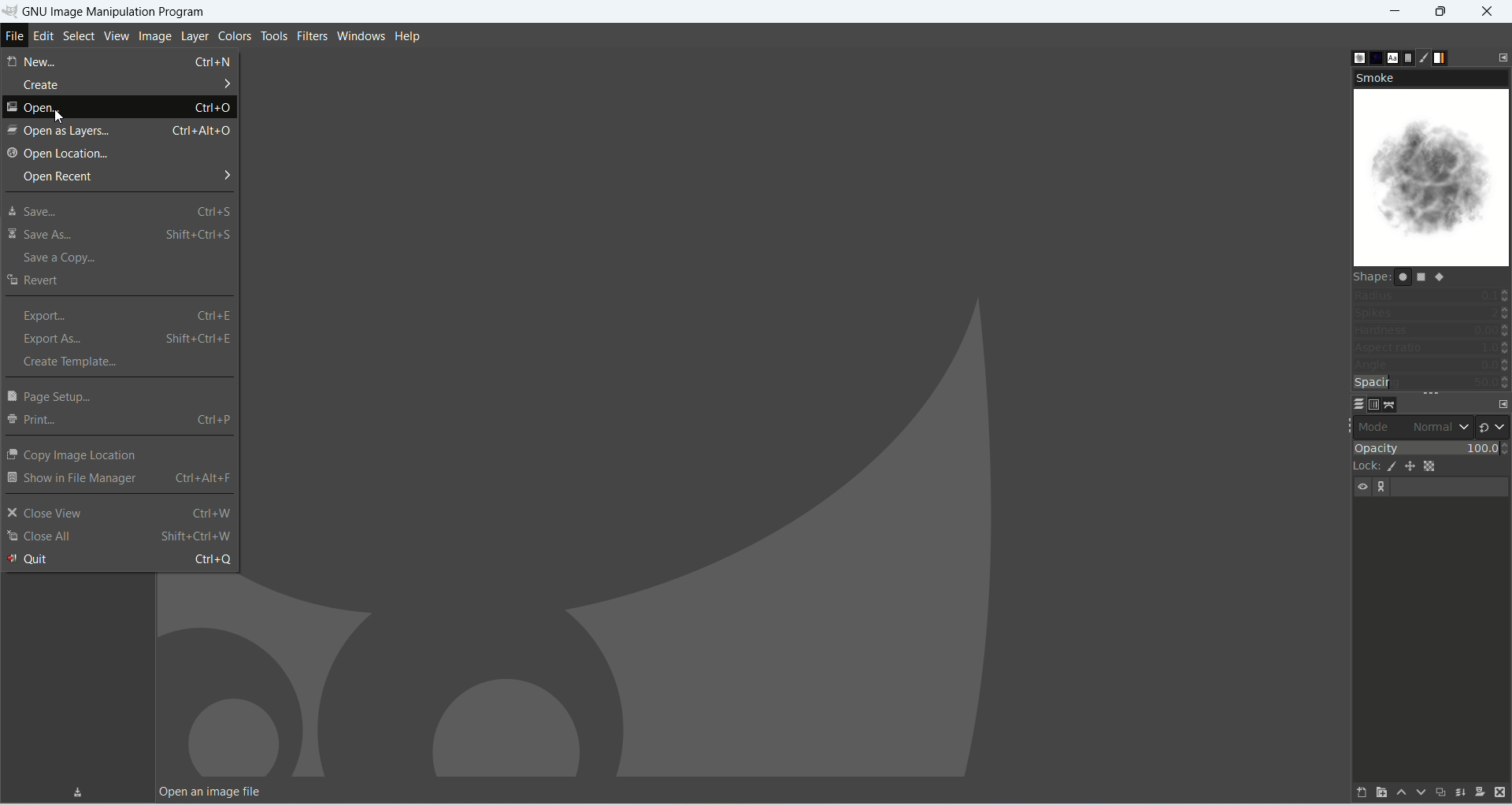 This screenshot has width=1512, height=805. I want to click on visibility, so click(1361, 486).